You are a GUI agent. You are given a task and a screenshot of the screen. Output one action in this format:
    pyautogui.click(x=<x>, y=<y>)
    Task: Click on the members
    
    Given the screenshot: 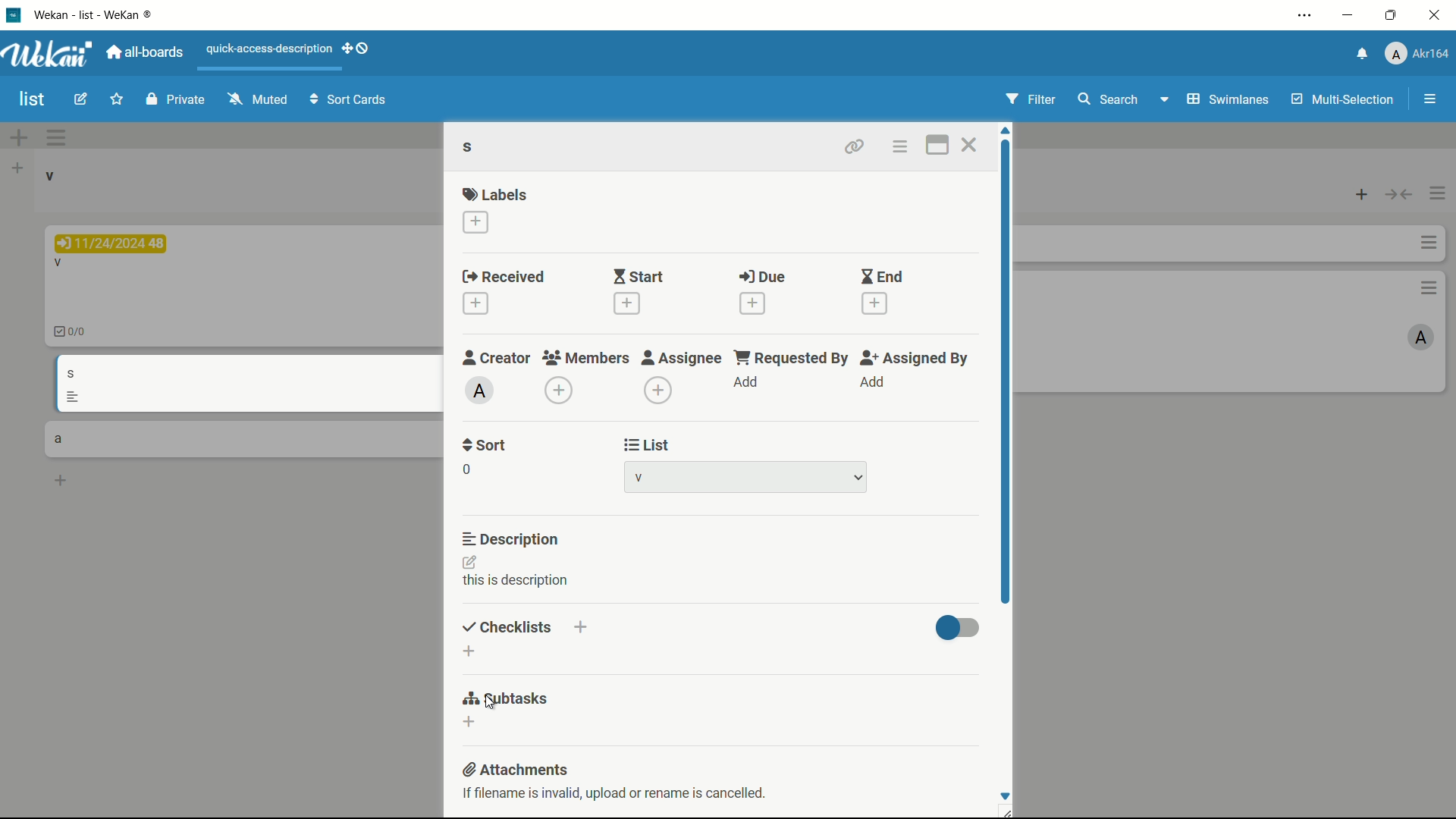 What is the action you would take?
    pyautogui.click(x=585, y=358)
    